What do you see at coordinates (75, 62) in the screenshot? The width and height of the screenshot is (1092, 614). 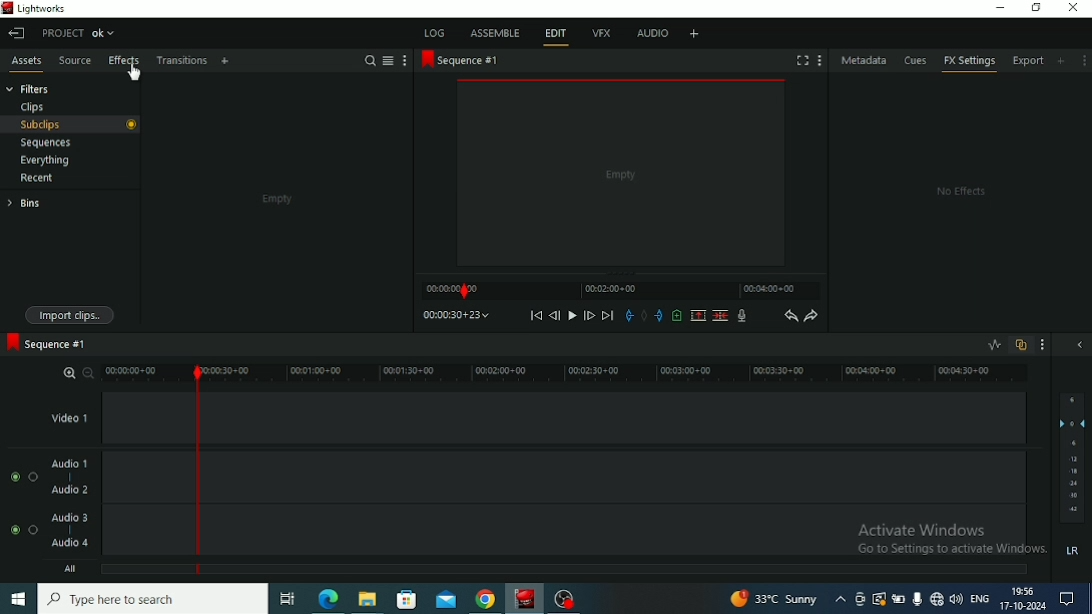 I see `Source` at bounding box center [75, 62].